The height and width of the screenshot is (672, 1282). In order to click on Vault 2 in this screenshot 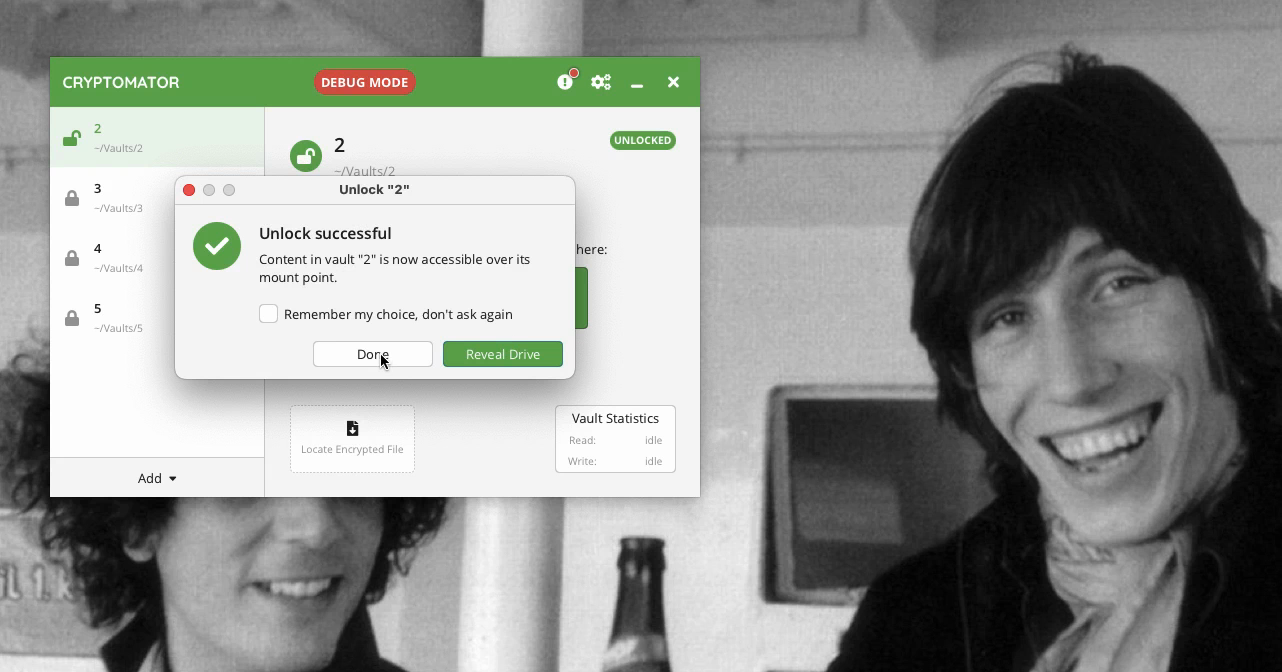, I will do `click(126, 134)`.